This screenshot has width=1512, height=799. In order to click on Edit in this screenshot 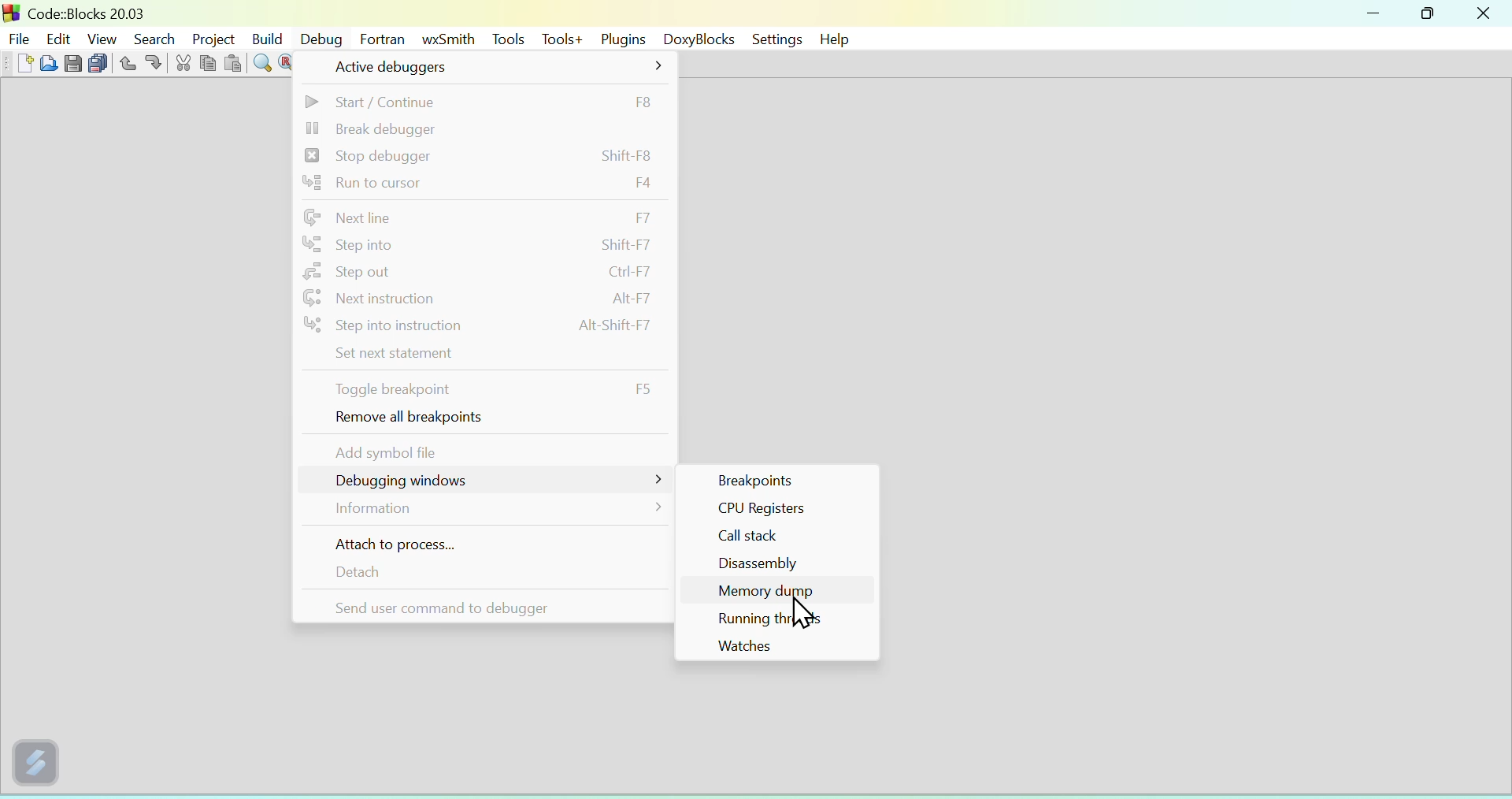, I will do `click(61, 38)`.